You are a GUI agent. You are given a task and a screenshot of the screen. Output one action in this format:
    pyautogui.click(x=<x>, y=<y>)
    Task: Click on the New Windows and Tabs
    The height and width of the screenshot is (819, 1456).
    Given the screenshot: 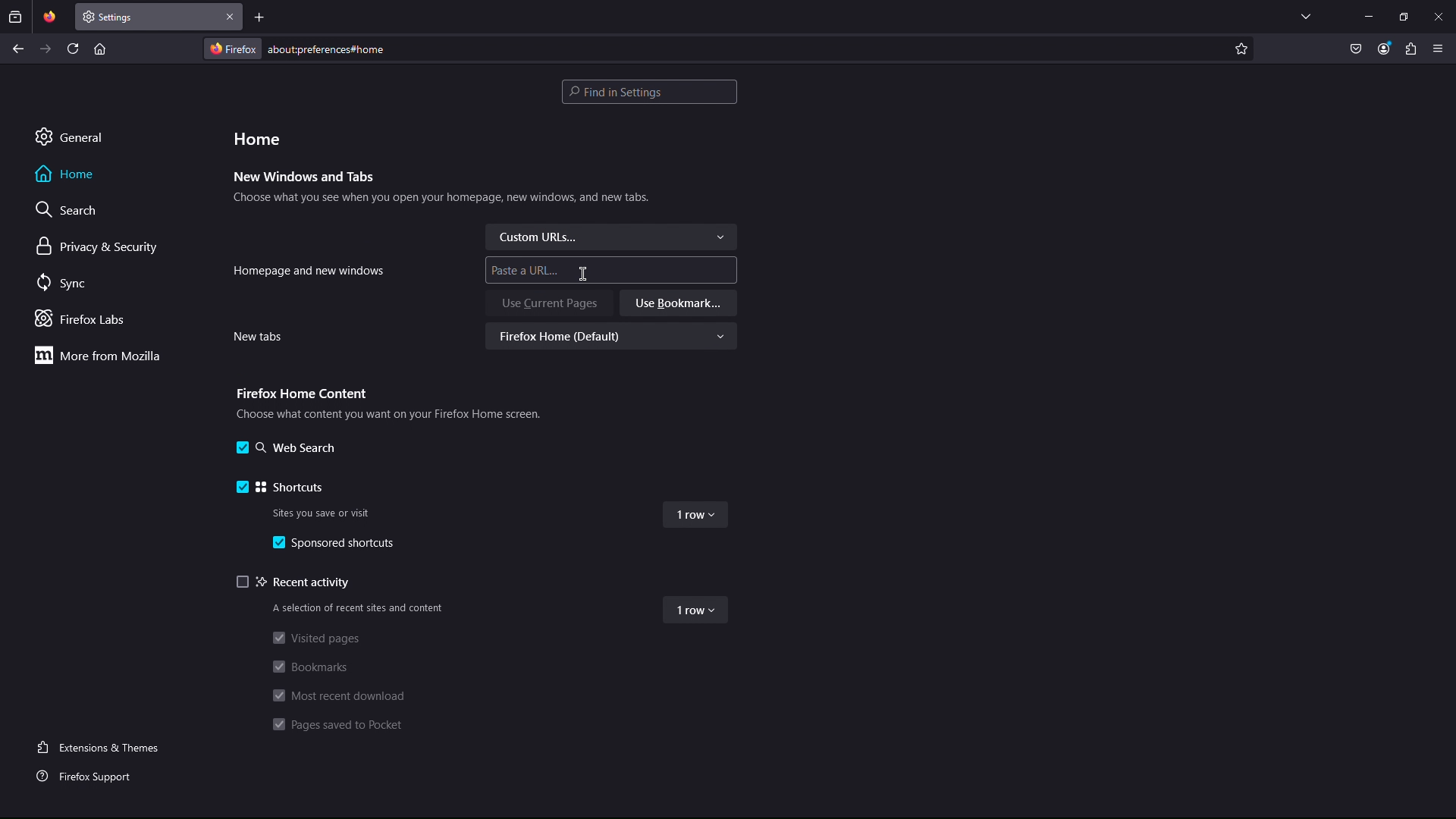 What is the action you would take?
    pyautogui.click(x=305, y=177)
    